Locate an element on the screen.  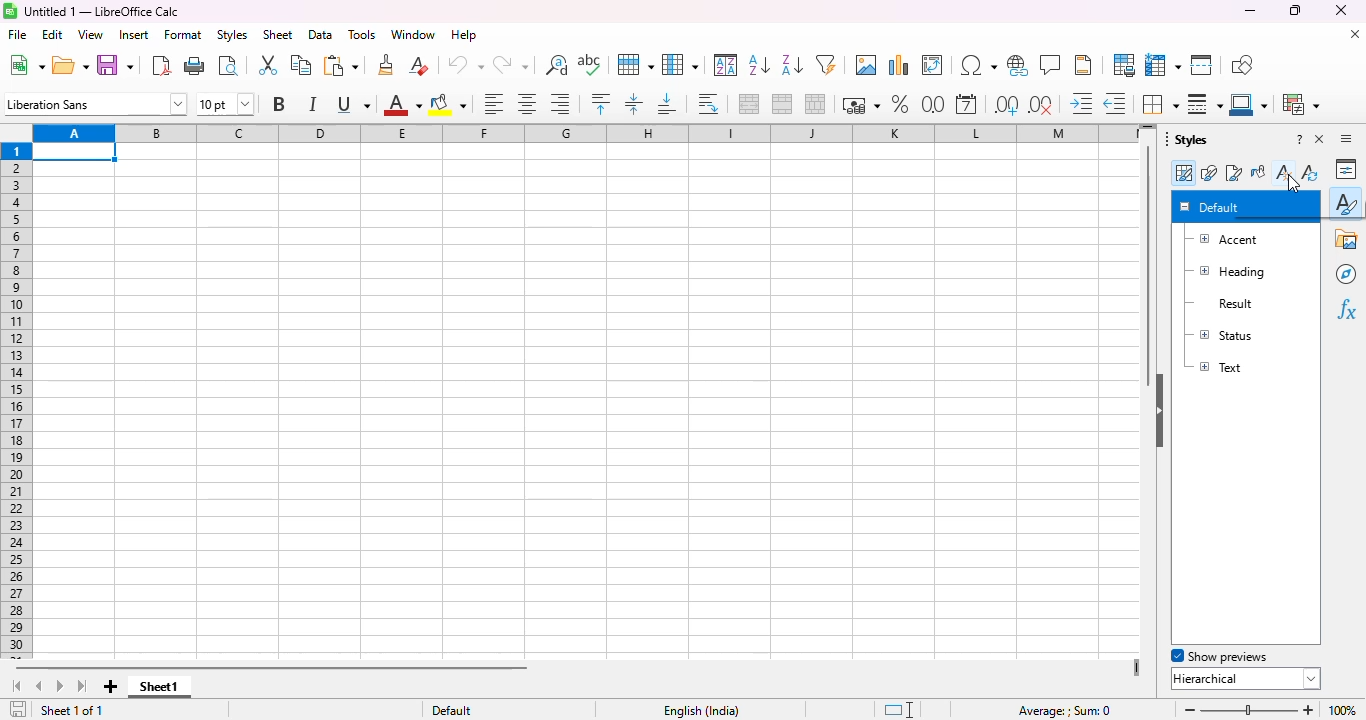
format as currency is located at coordinates (860, 104).